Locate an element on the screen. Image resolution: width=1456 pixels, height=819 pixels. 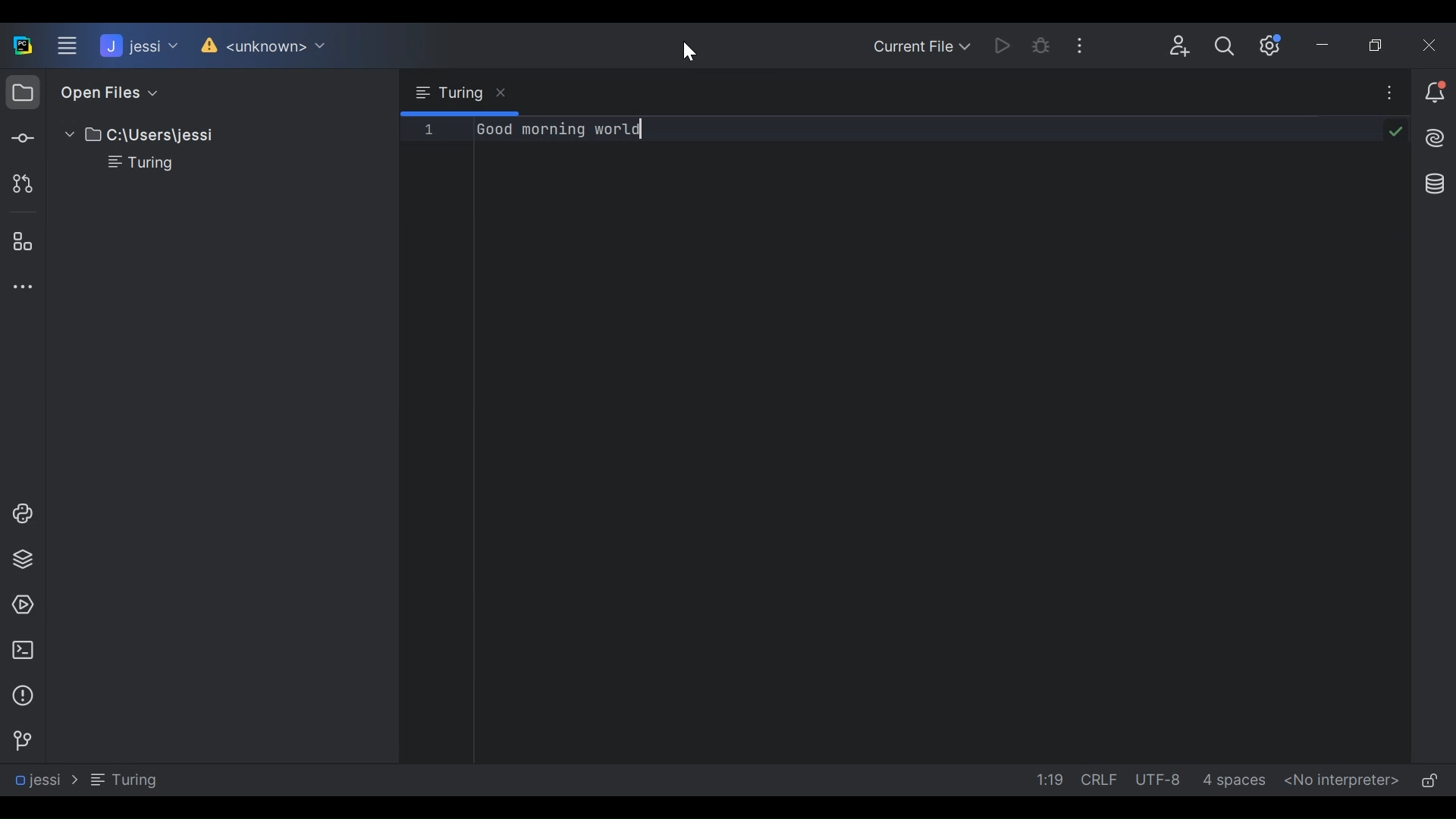
Settings is located at coordinates (1275, 45).